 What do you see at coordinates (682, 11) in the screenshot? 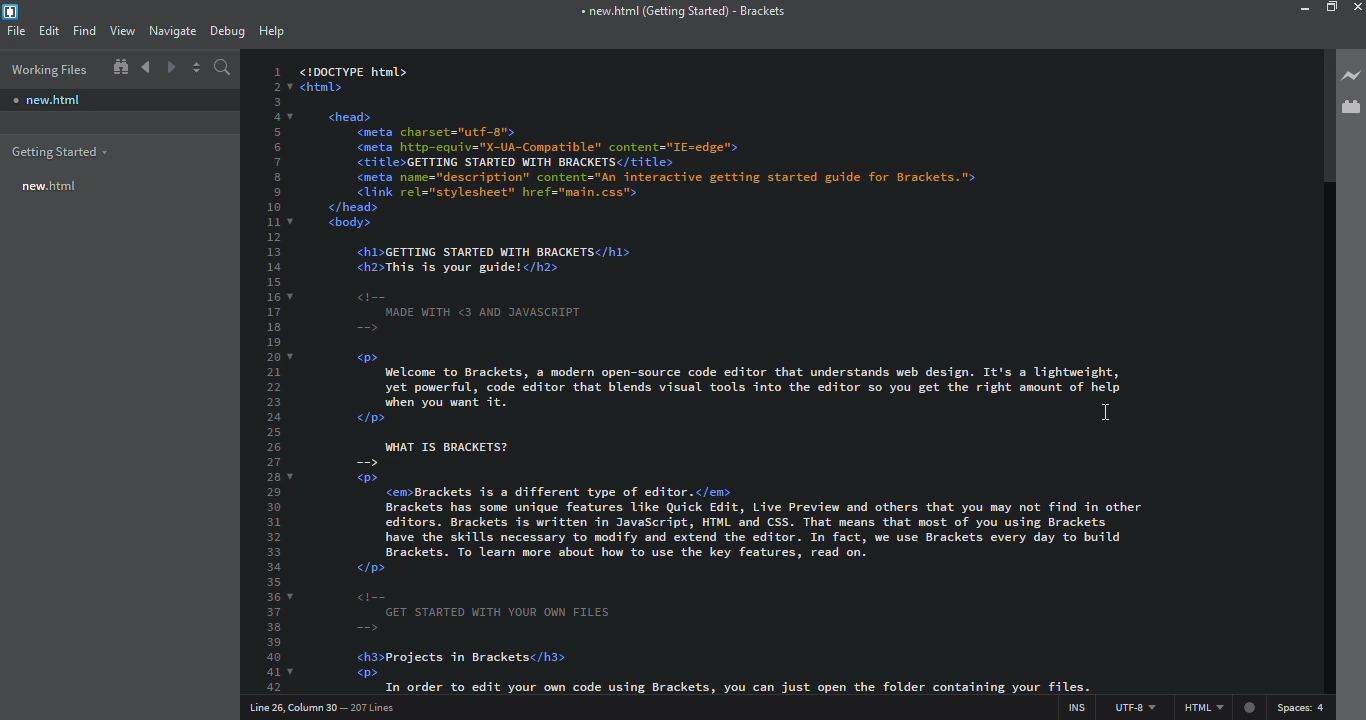
I see `brackets` at bounding box center [682, 11].